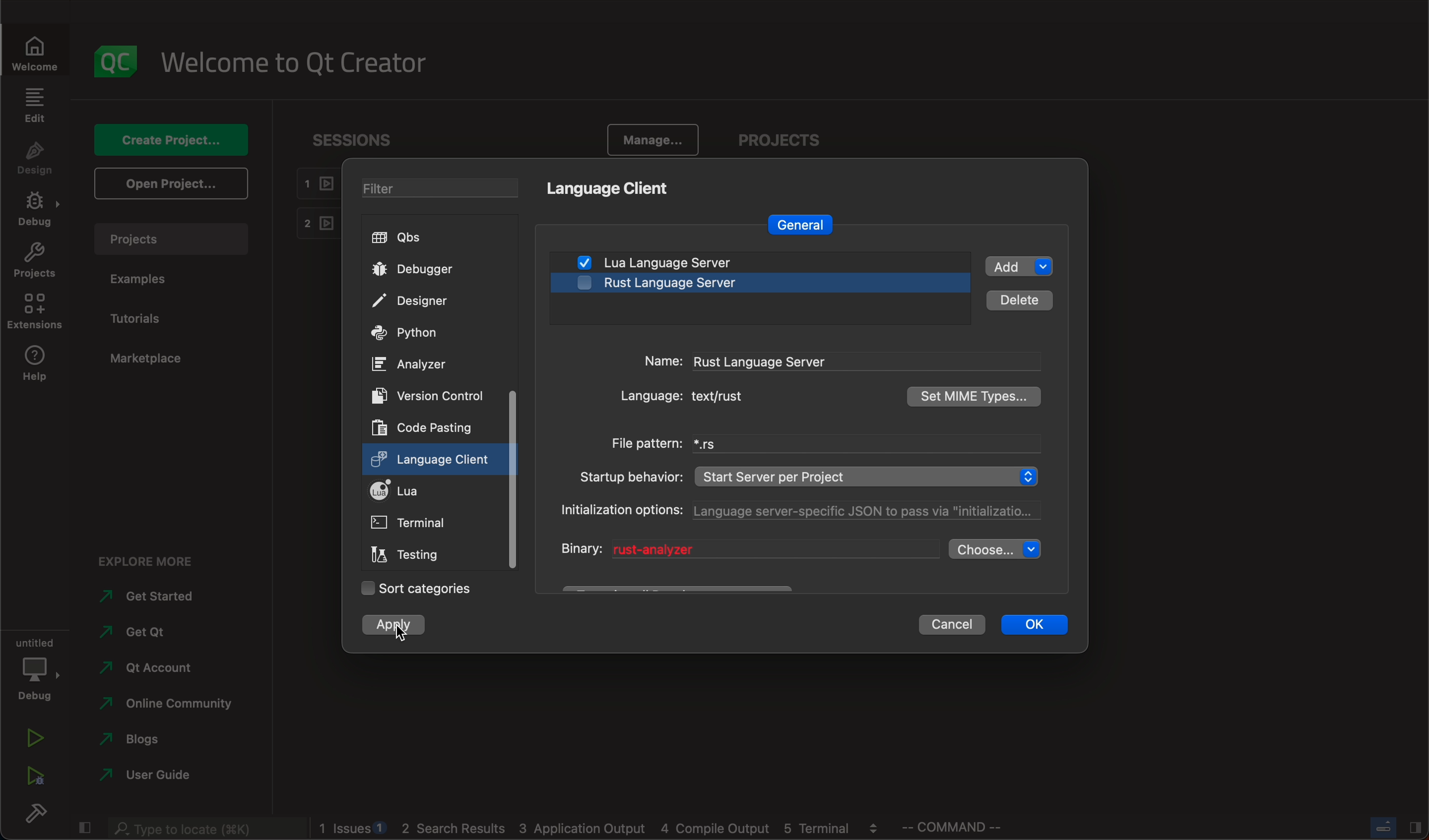 This screenshot has height=840, width=1429. What do you see at coordinates (1381, 828) in the screenshot?
I see `close ` at bounding box center [1381, 828].